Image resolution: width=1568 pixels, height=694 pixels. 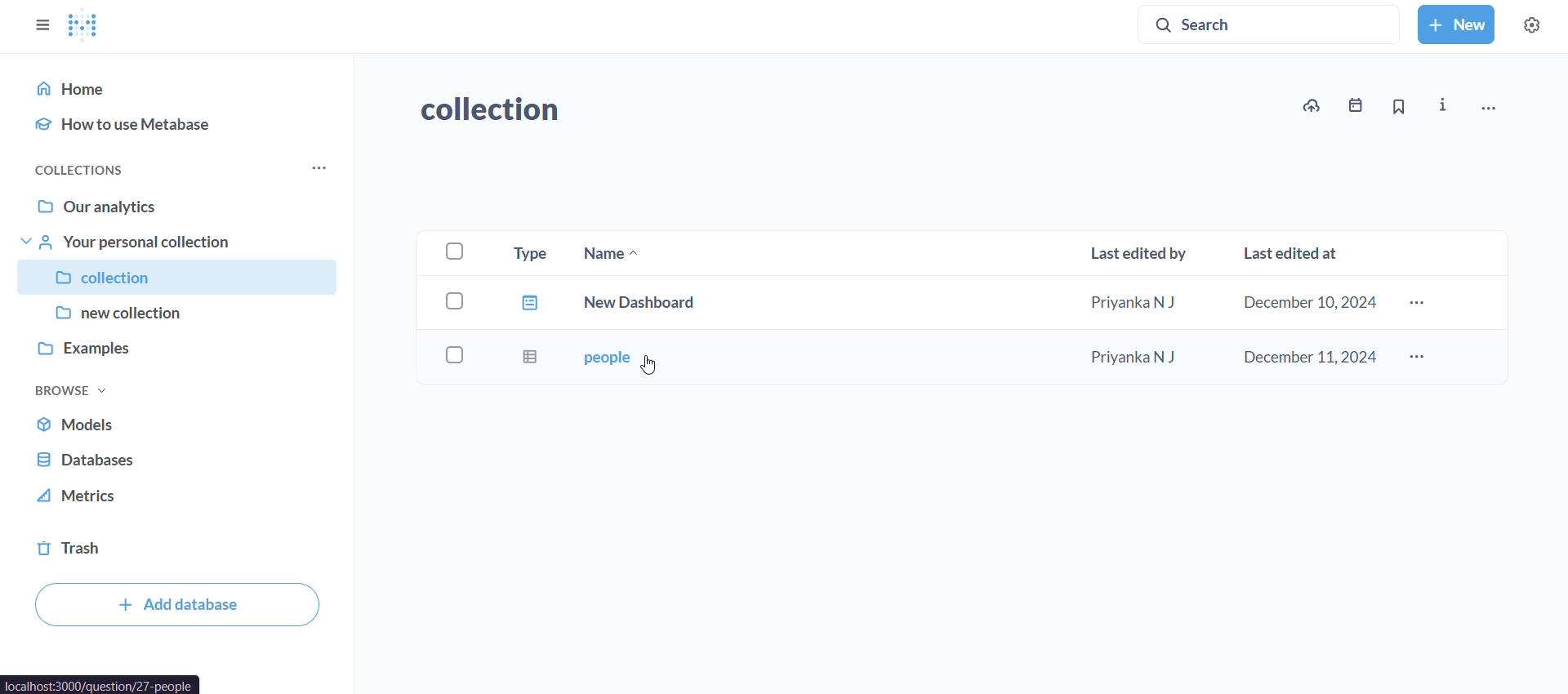 What do you see at coordinates (91, 26) in the screenshot?
I see `logo` at bounding box center [91, 26].